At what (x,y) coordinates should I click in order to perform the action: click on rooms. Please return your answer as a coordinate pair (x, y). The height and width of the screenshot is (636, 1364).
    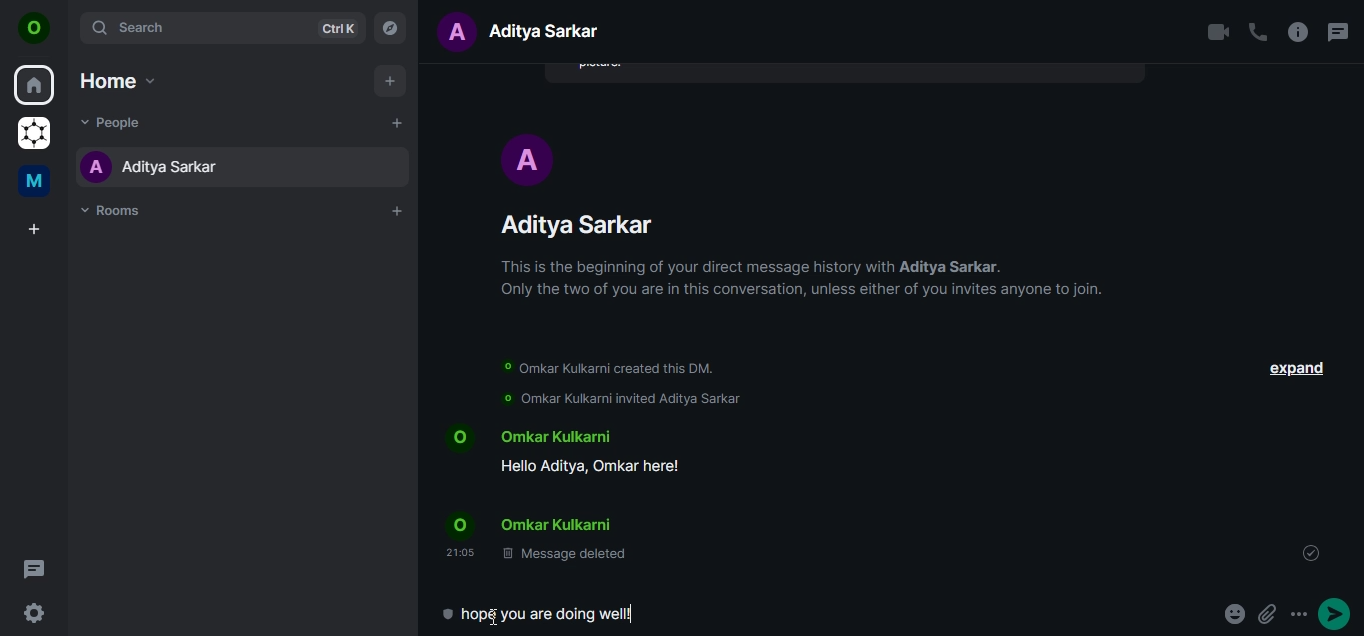
    Looking at the image, I should click on (114, 213).